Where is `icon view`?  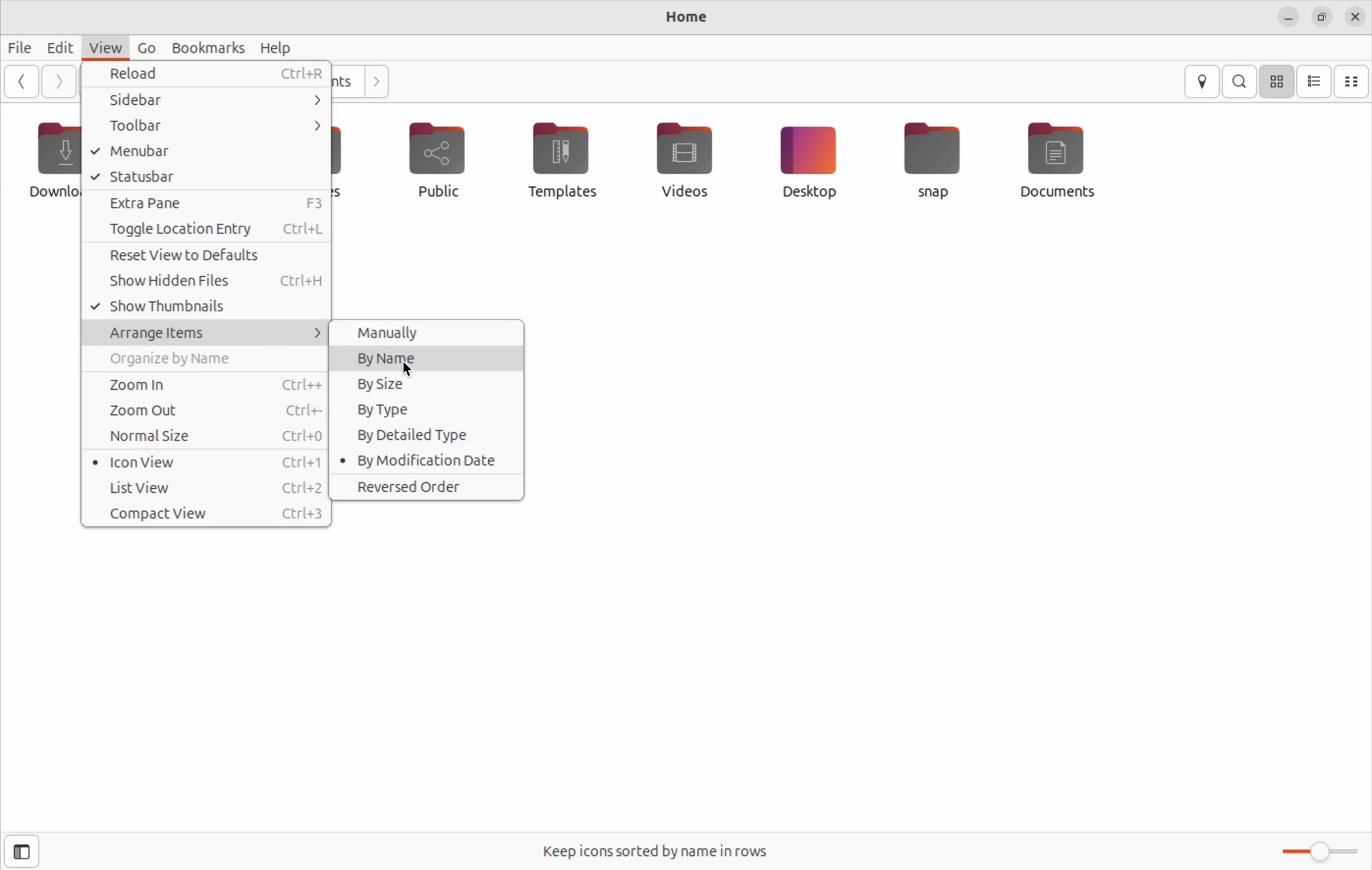 icon view is located at coordinates (1278, 81).